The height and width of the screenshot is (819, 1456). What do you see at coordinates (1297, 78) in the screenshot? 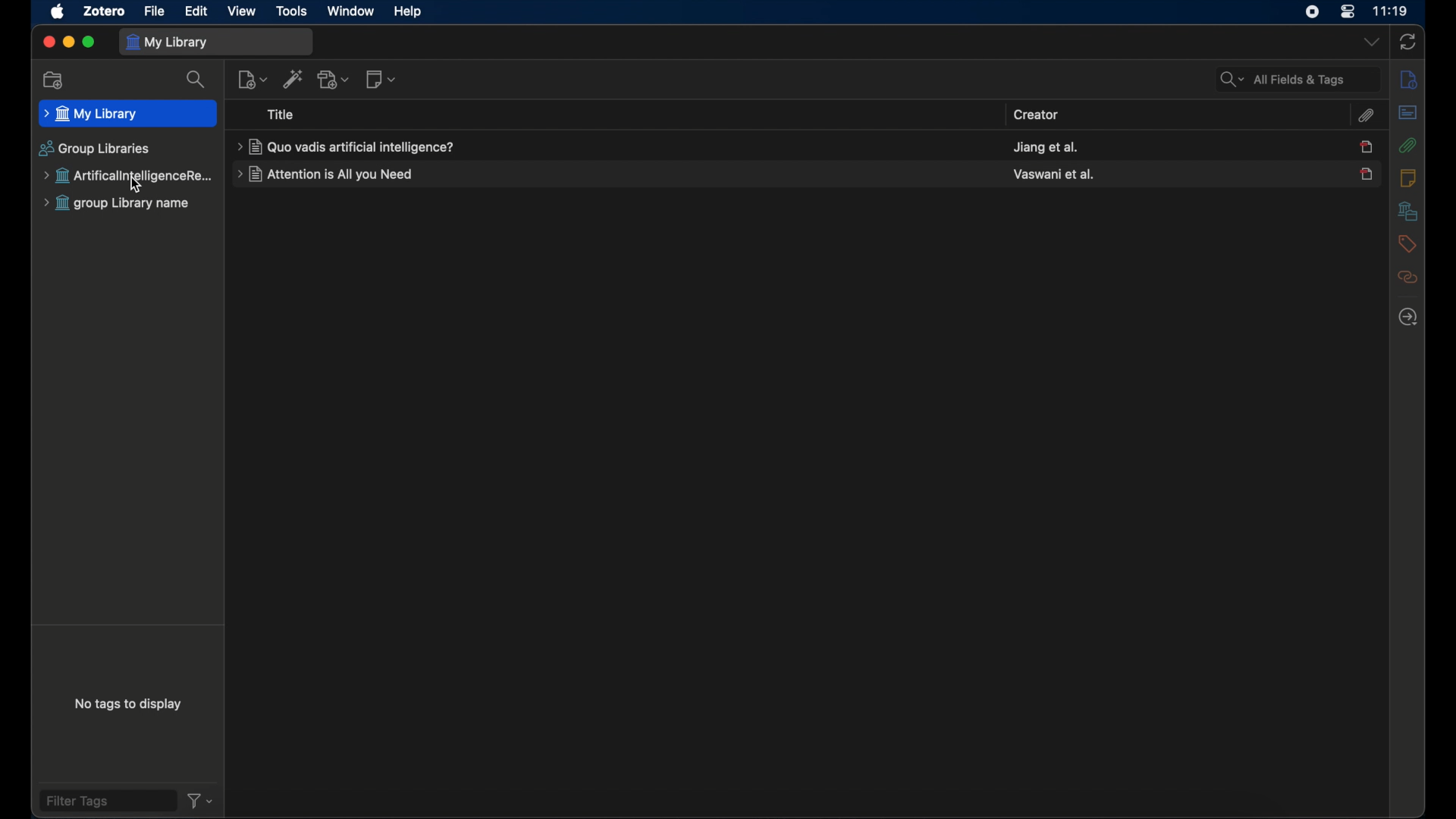
I see `all fields and tags` at bounding box center [1297, 78].